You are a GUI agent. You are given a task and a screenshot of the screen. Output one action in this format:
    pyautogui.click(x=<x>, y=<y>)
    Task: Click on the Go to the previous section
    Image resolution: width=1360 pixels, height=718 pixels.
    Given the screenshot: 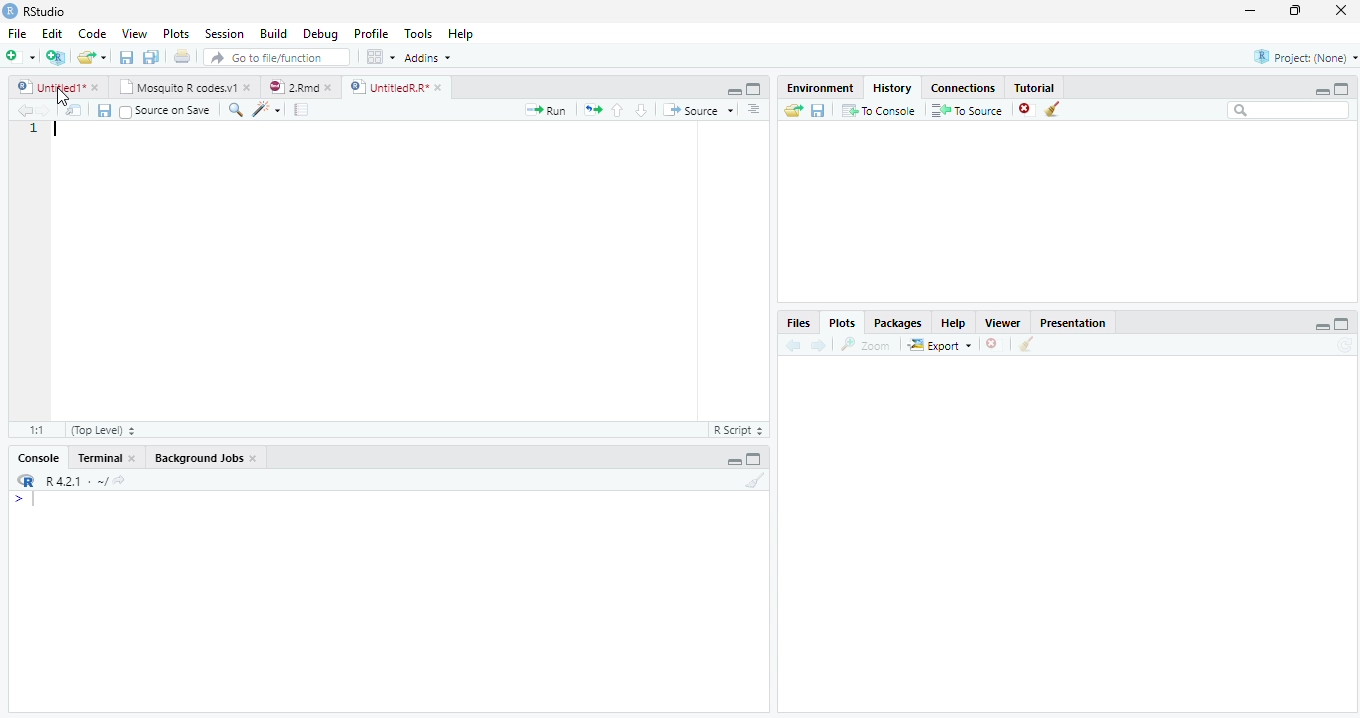 What is the action you would take?
    pyautogui.click(x=617, y=109)
    